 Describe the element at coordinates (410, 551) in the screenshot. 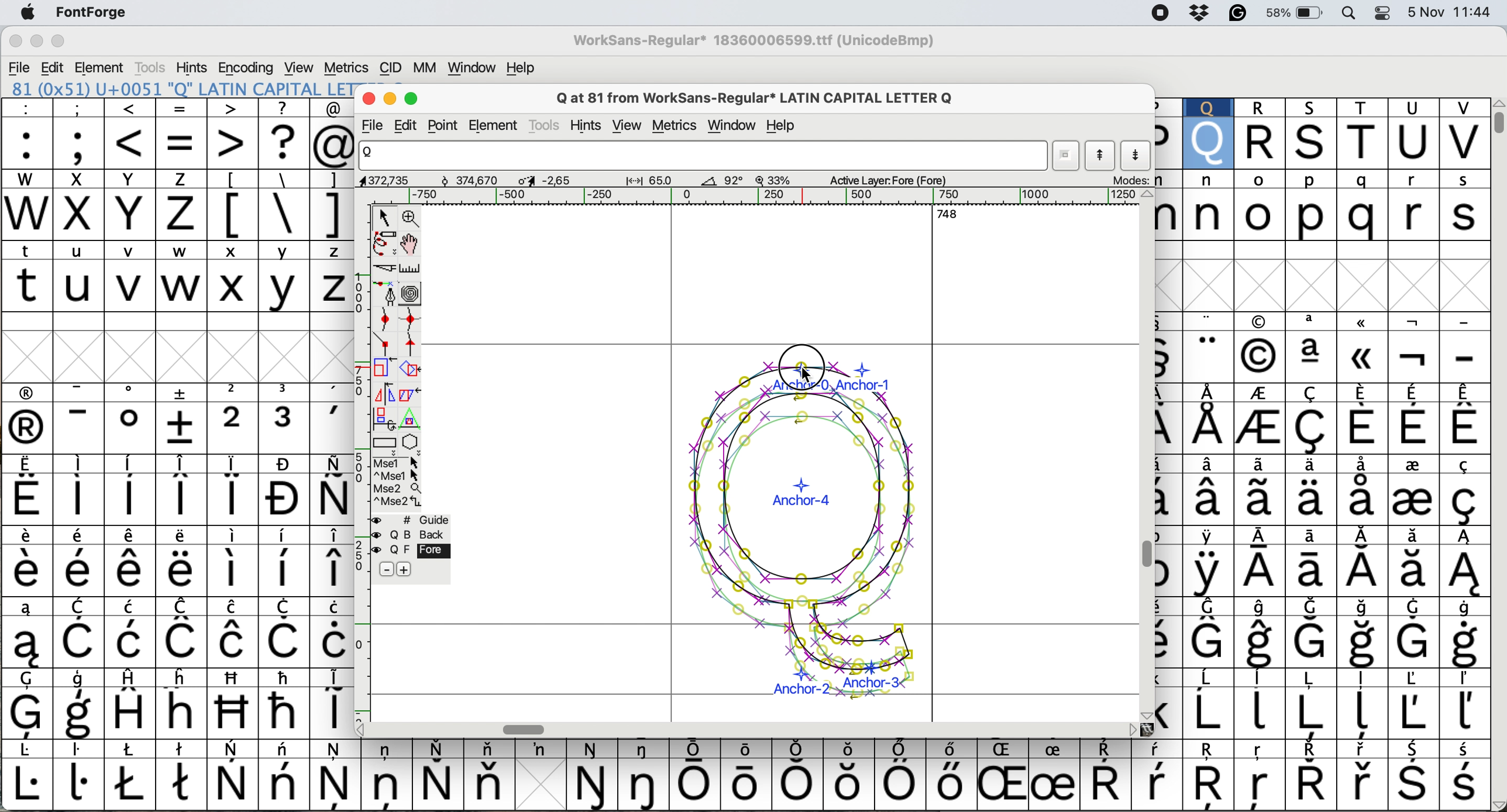

I see `fore` at that location.